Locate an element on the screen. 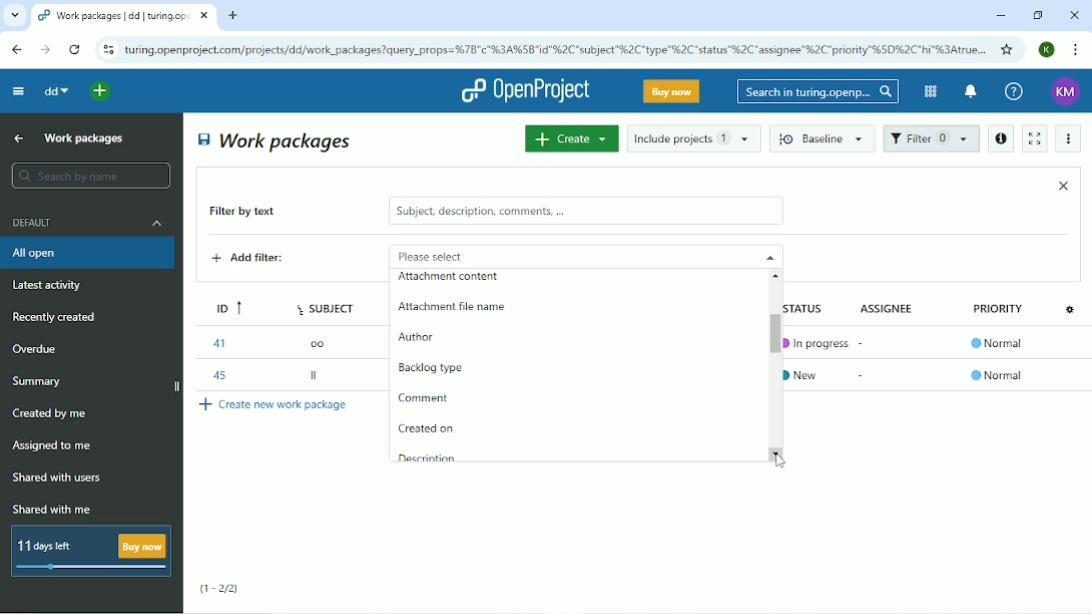  OpenProject is located at coordinates (525, 91).